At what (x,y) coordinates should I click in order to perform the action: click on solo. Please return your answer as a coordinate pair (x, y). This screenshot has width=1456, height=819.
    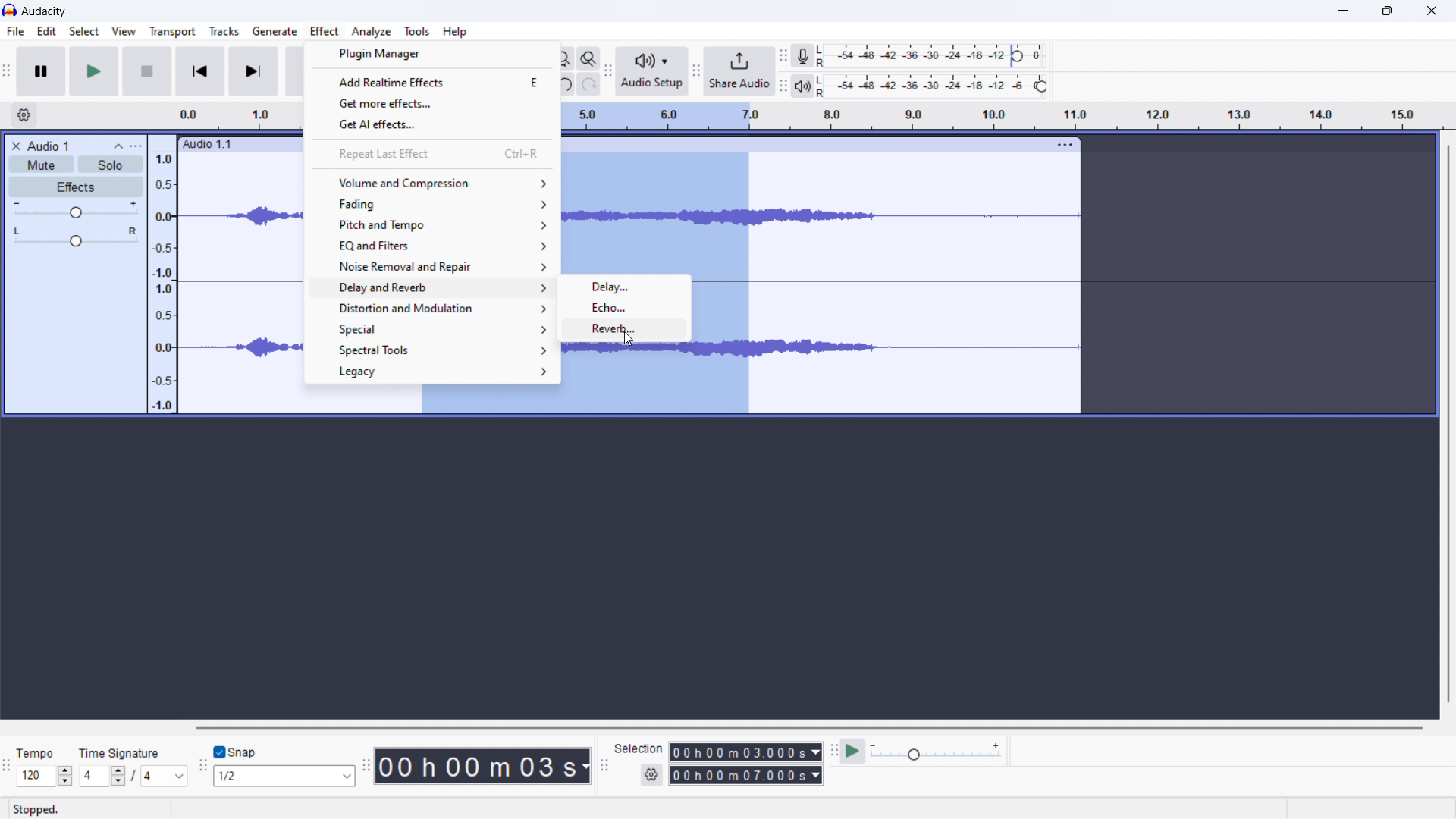
    Looking at the image, I should click on (108, 165).